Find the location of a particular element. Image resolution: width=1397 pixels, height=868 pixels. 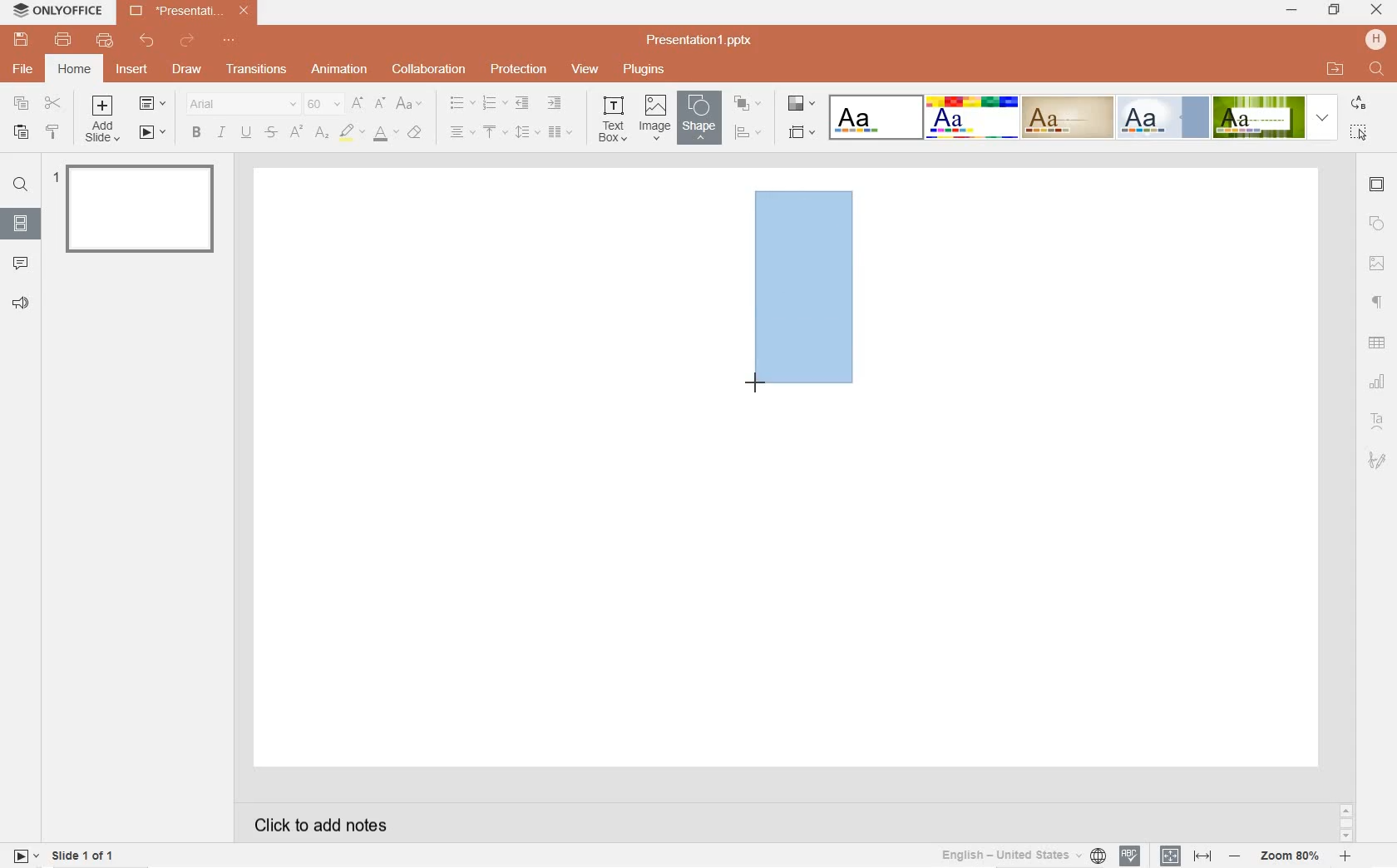

find is located at coordinates (20, 187).